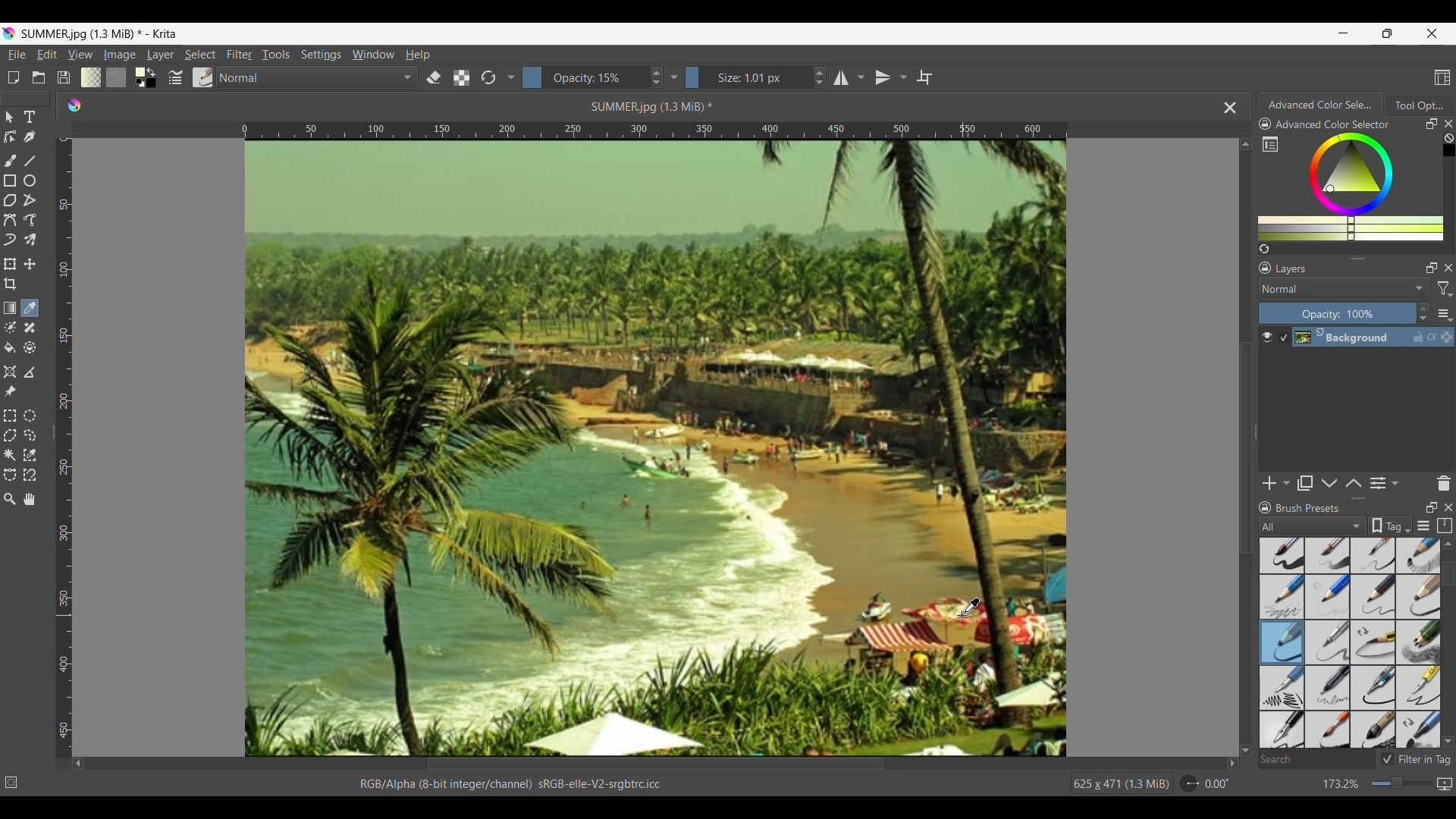 Image resolution: width=1456 pixels, height=819 pixels. I want to click on Vertical slide bar, so click(1246, 448).